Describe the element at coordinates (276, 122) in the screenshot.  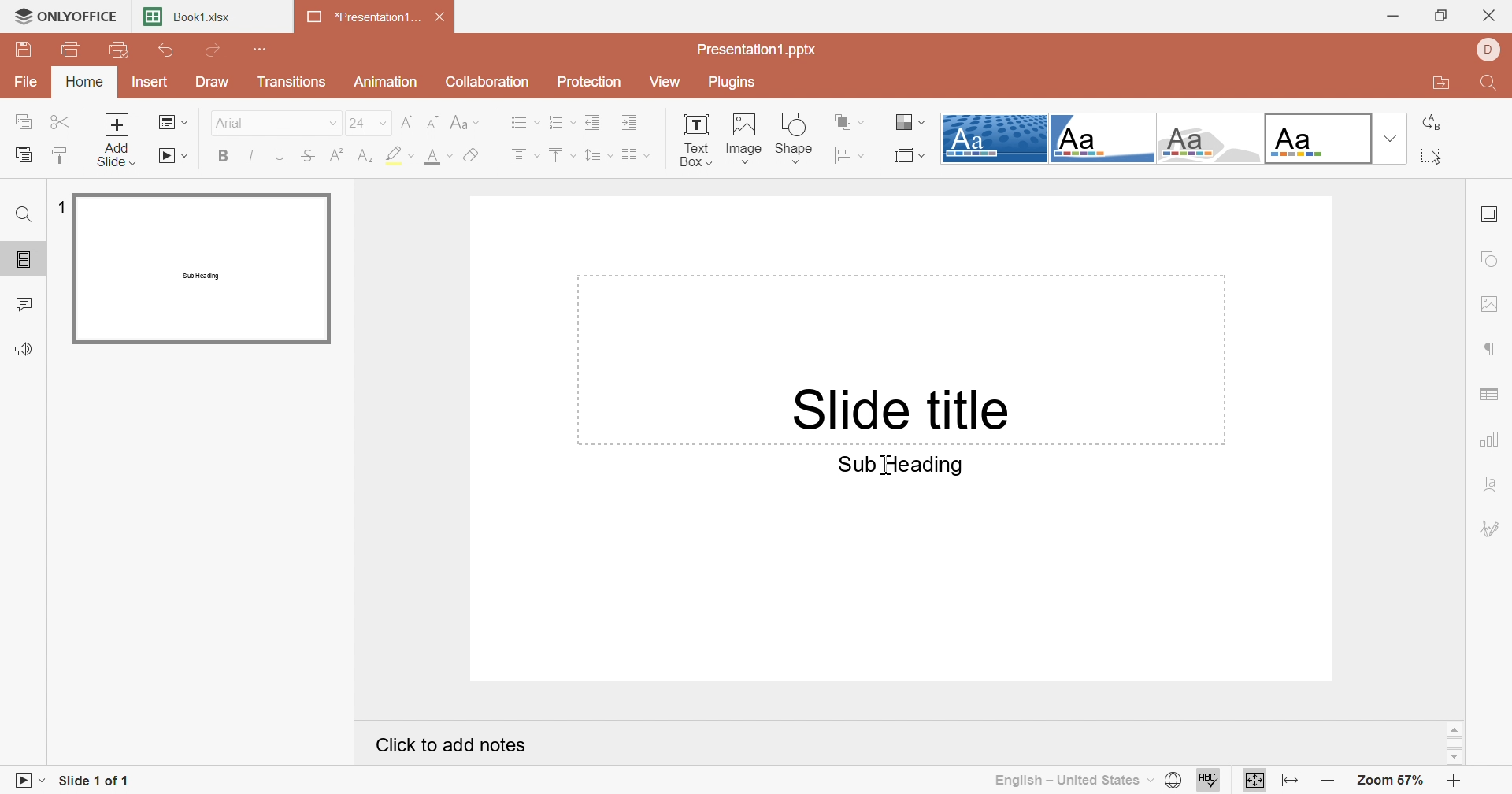
I see `Arial` at that location.